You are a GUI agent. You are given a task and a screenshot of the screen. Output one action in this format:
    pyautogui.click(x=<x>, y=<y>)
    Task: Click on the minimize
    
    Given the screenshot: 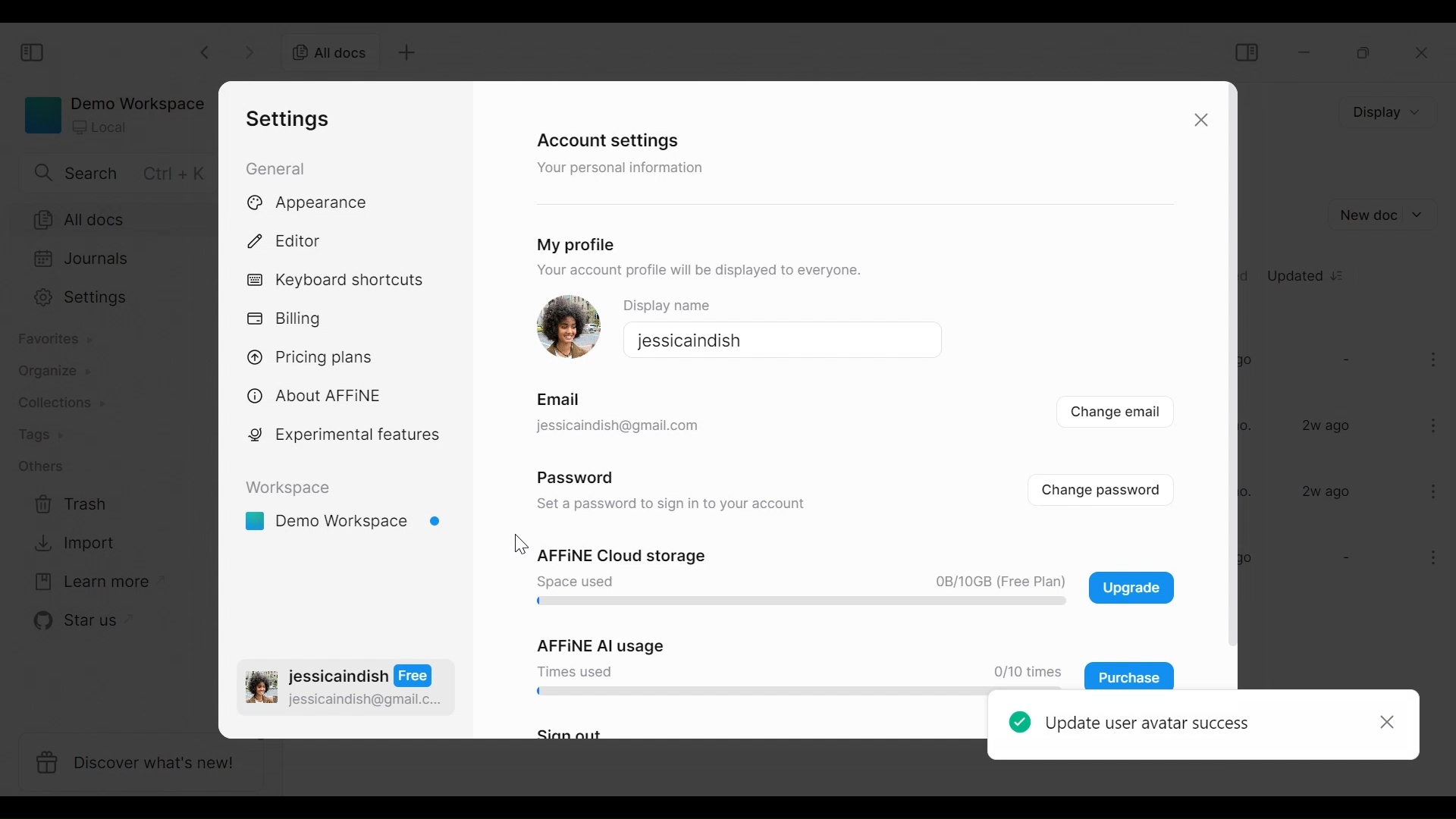 What is the action you would take?
    pyautogui.click(x=1307, y=52)
    